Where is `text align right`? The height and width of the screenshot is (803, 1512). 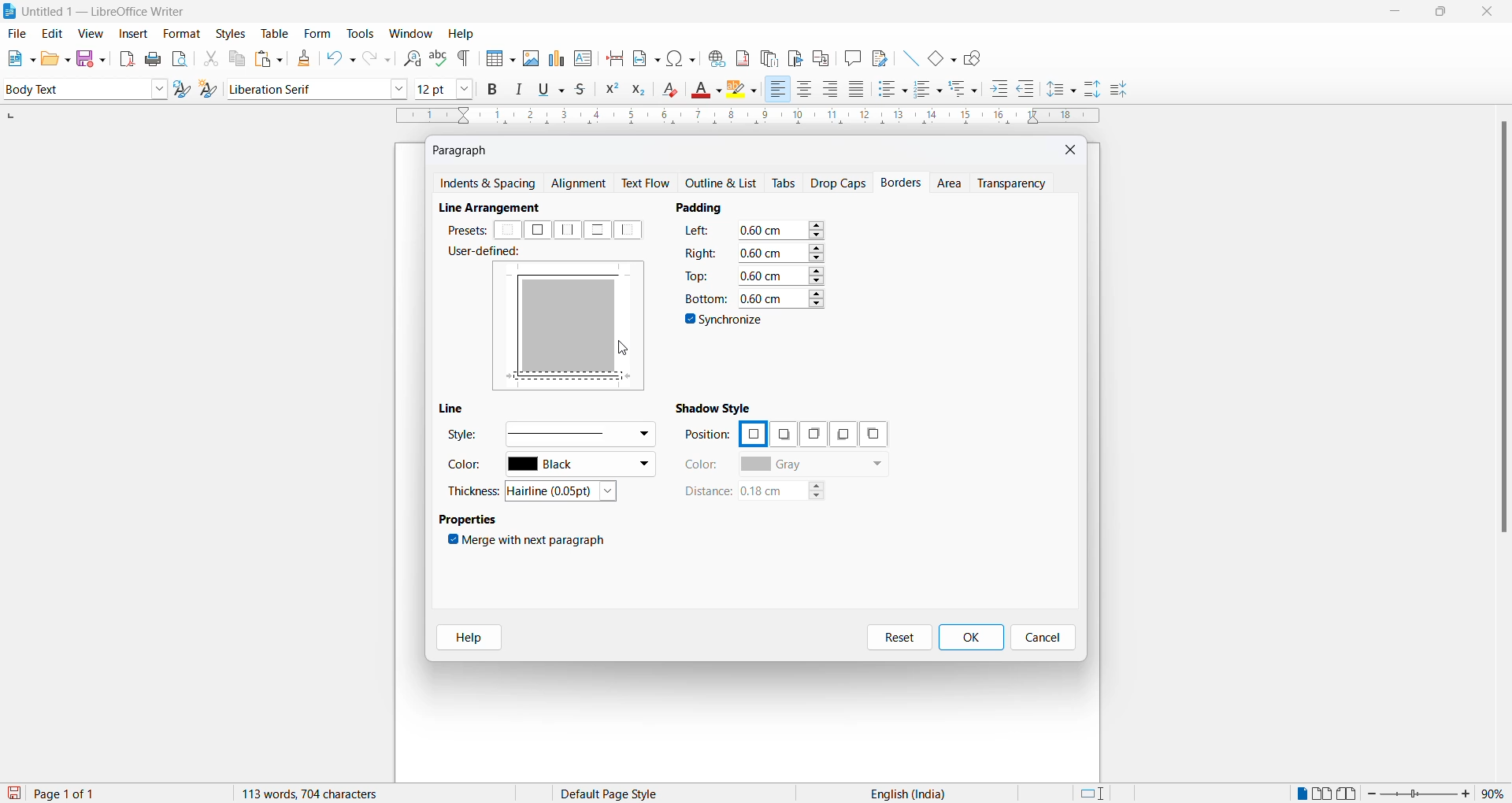
text align right is located at coordinates (833, 90).